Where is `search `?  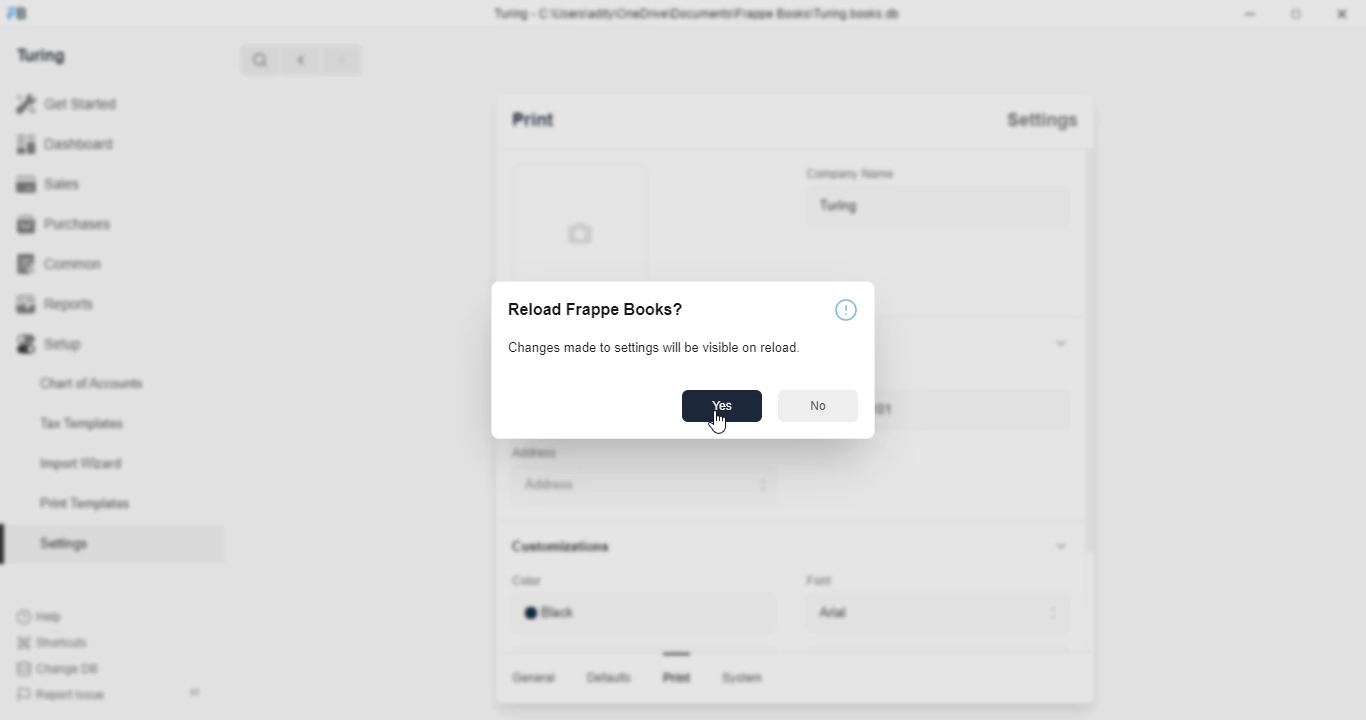 search  is located at coordinates (261, 59).